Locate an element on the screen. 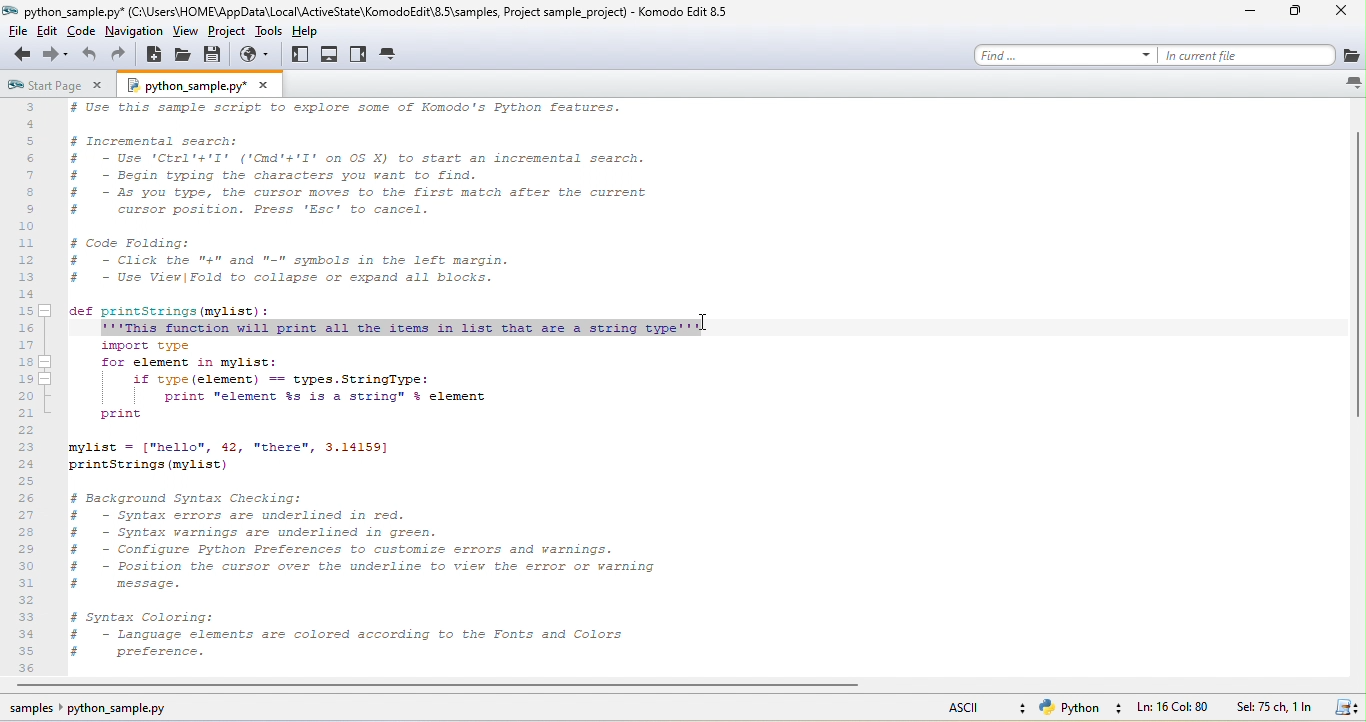 The width and height of the screenshot is (1366, 722). line numbers is located at coordinates (31, 388).